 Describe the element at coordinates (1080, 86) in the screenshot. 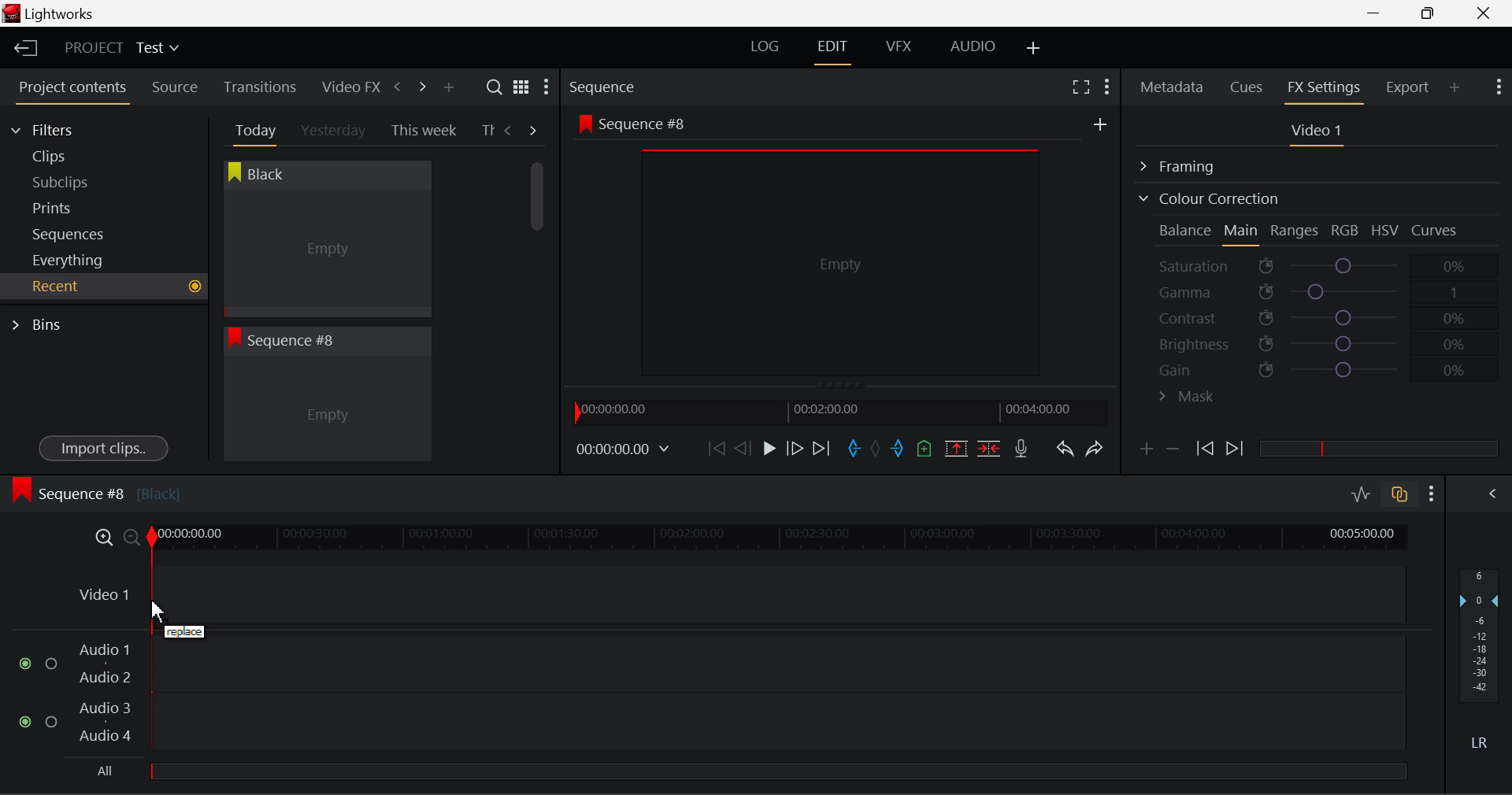

I see `Full Screen` at that location.